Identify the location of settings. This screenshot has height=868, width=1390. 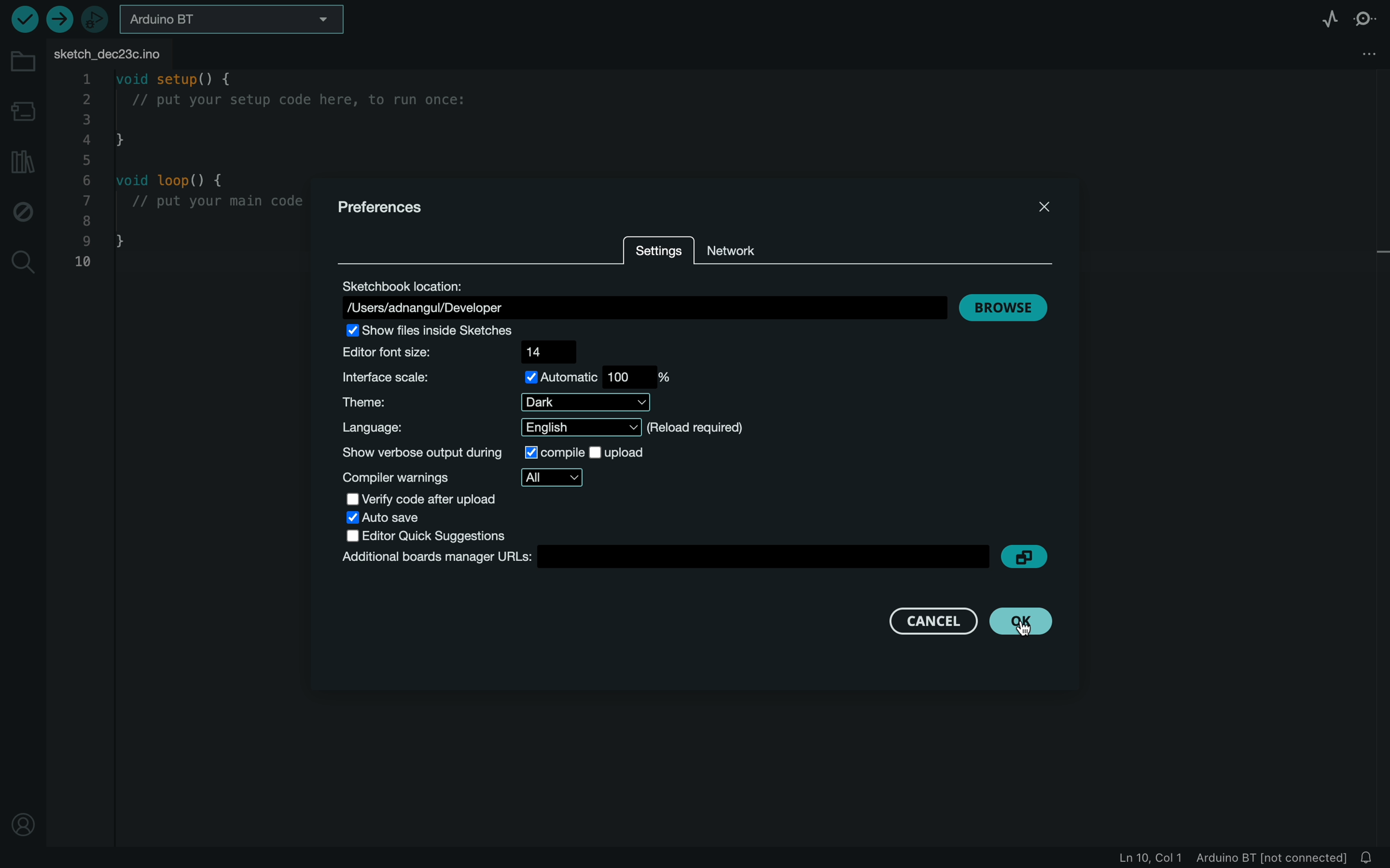
(657, 250).